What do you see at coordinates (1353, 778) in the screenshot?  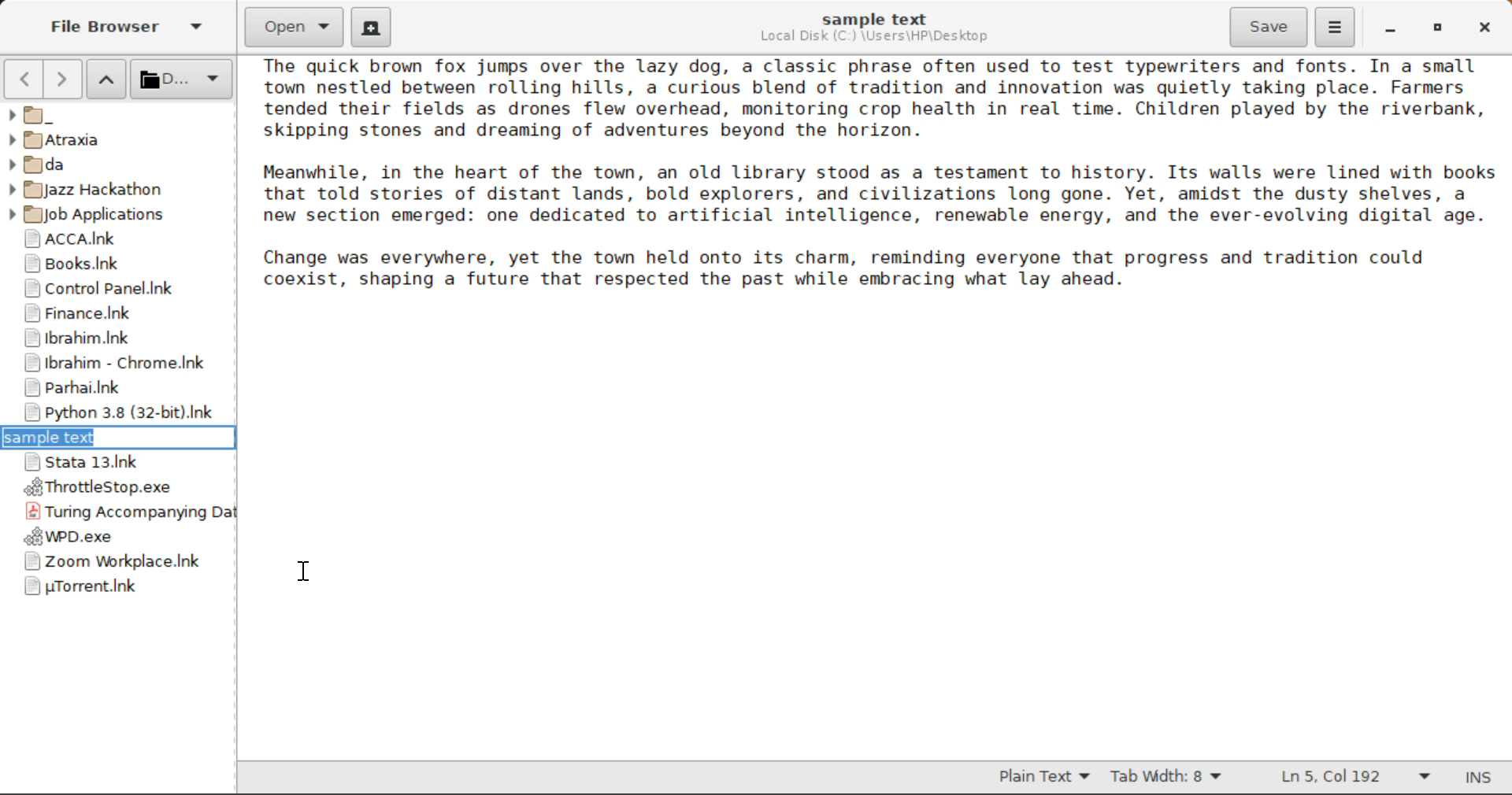 I see `Line & Character Count` at bounding box center [1353, 778].